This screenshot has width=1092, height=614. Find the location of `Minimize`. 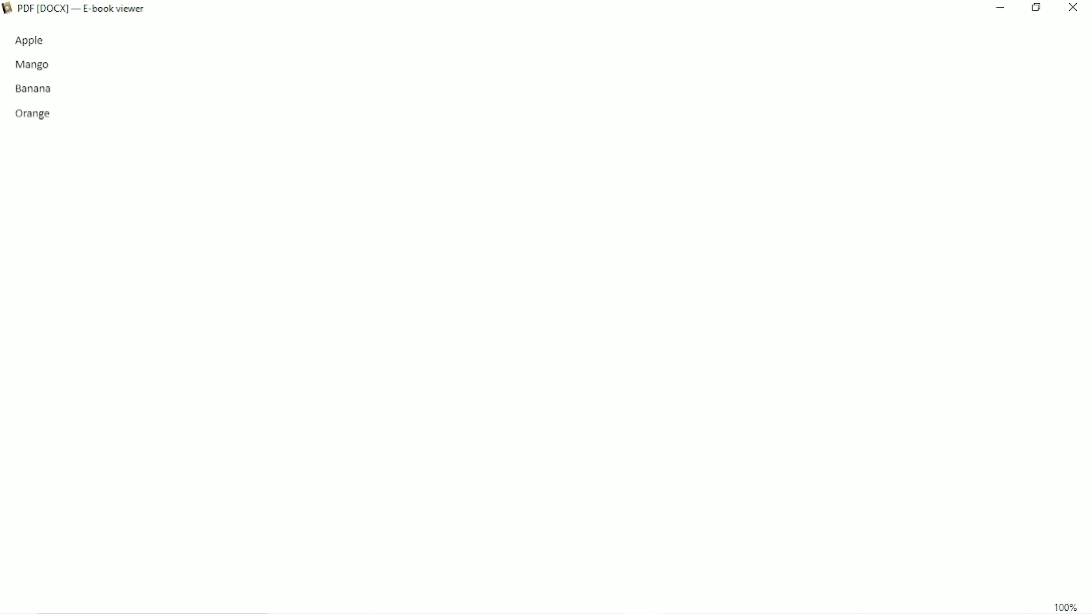

Minimize is located at coordinates (998, 8).